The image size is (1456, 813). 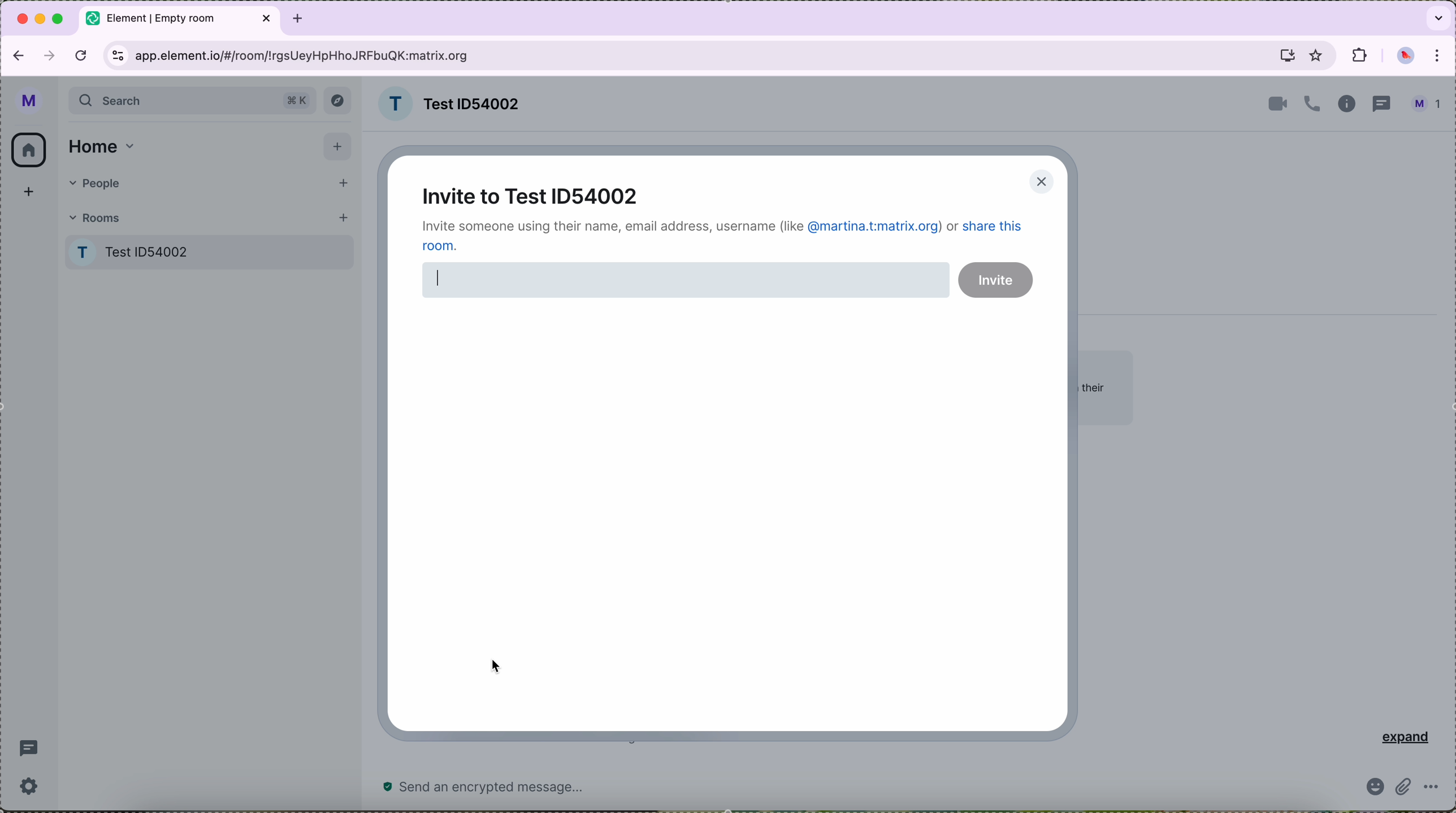 What do you see at coordinates (117, 55) in the screenshot?
I see `controls` at bounding box center [117, 55].